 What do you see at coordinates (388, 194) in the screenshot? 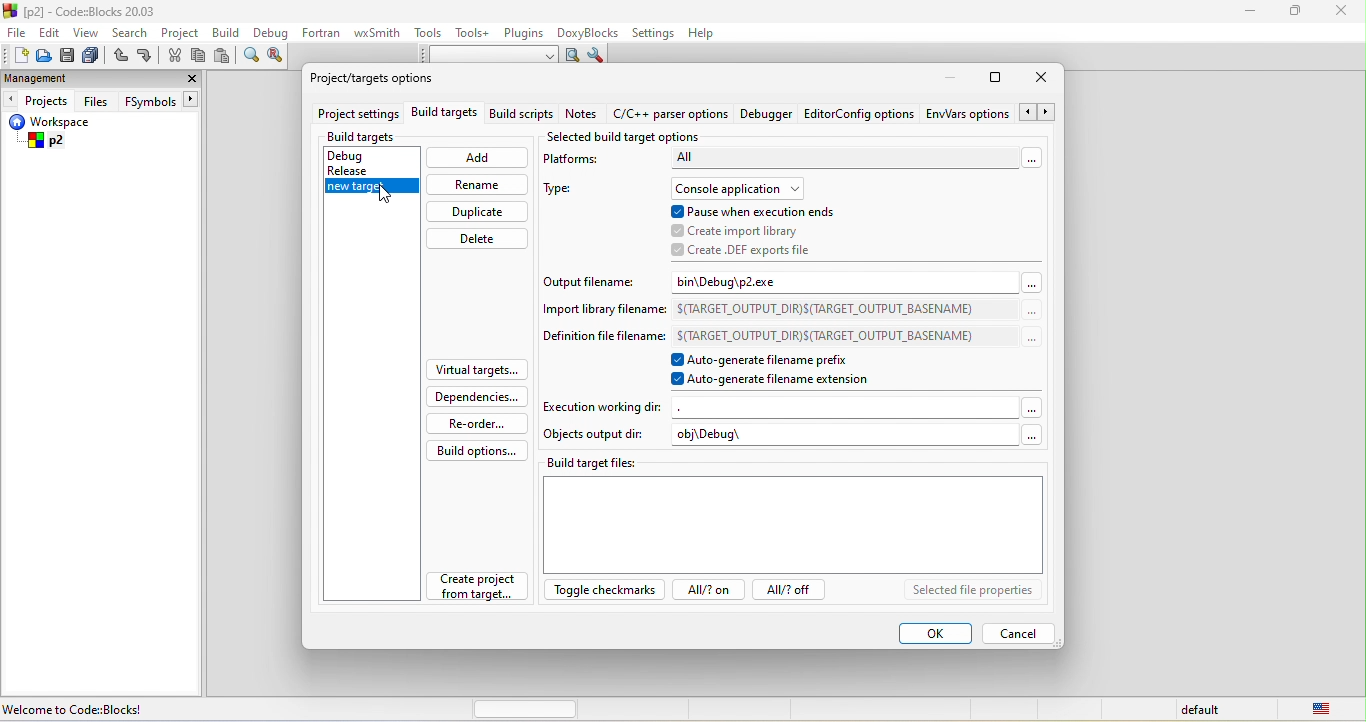
I see `cursor movement` at bounding box center [388, 194].